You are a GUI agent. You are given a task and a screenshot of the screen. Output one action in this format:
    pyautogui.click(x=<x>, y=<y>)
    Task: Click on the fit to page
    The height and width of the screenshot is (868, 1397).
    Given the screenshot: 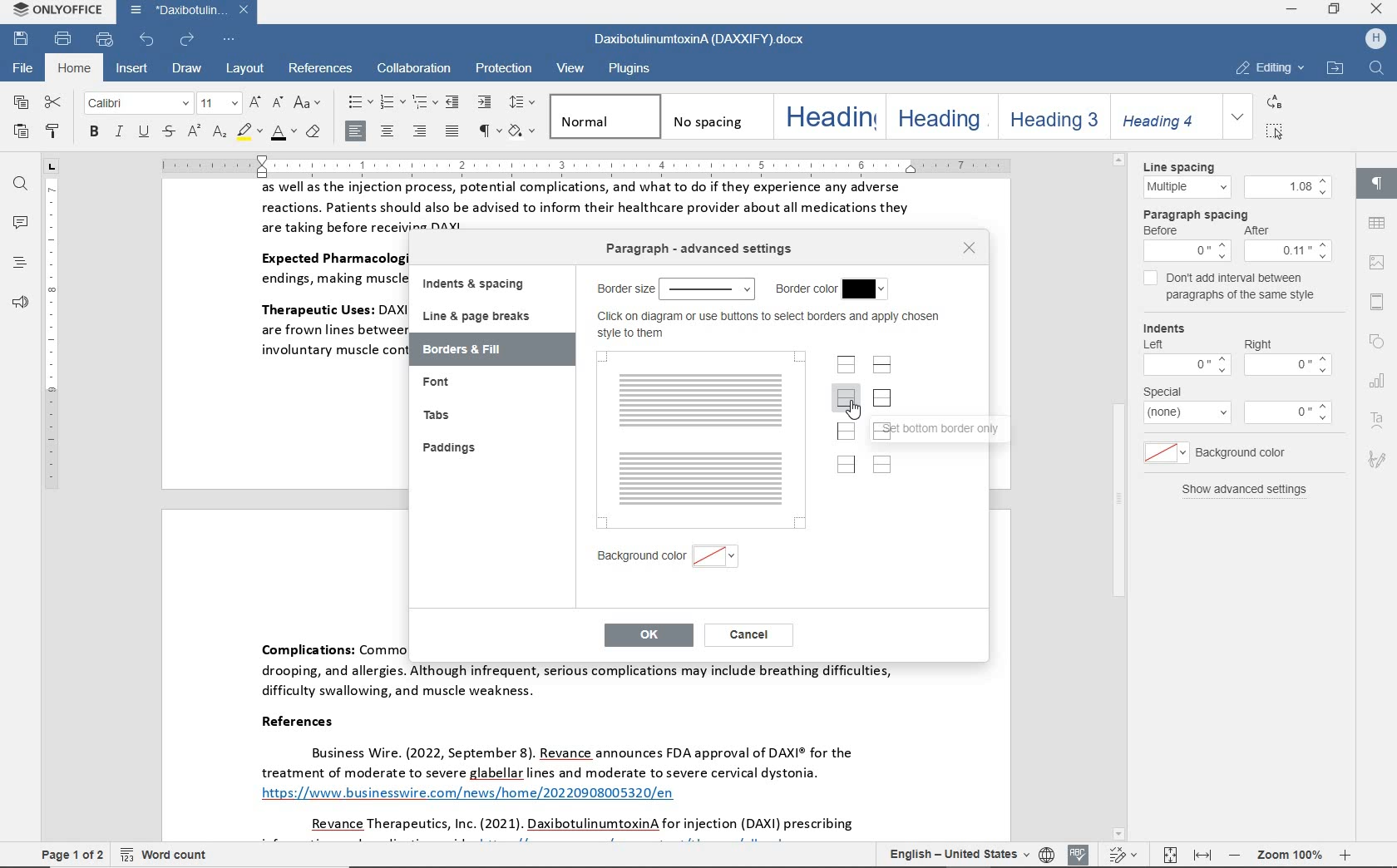 What is the action you would take?
    pyautogui.click(x=1167, y=855)
    